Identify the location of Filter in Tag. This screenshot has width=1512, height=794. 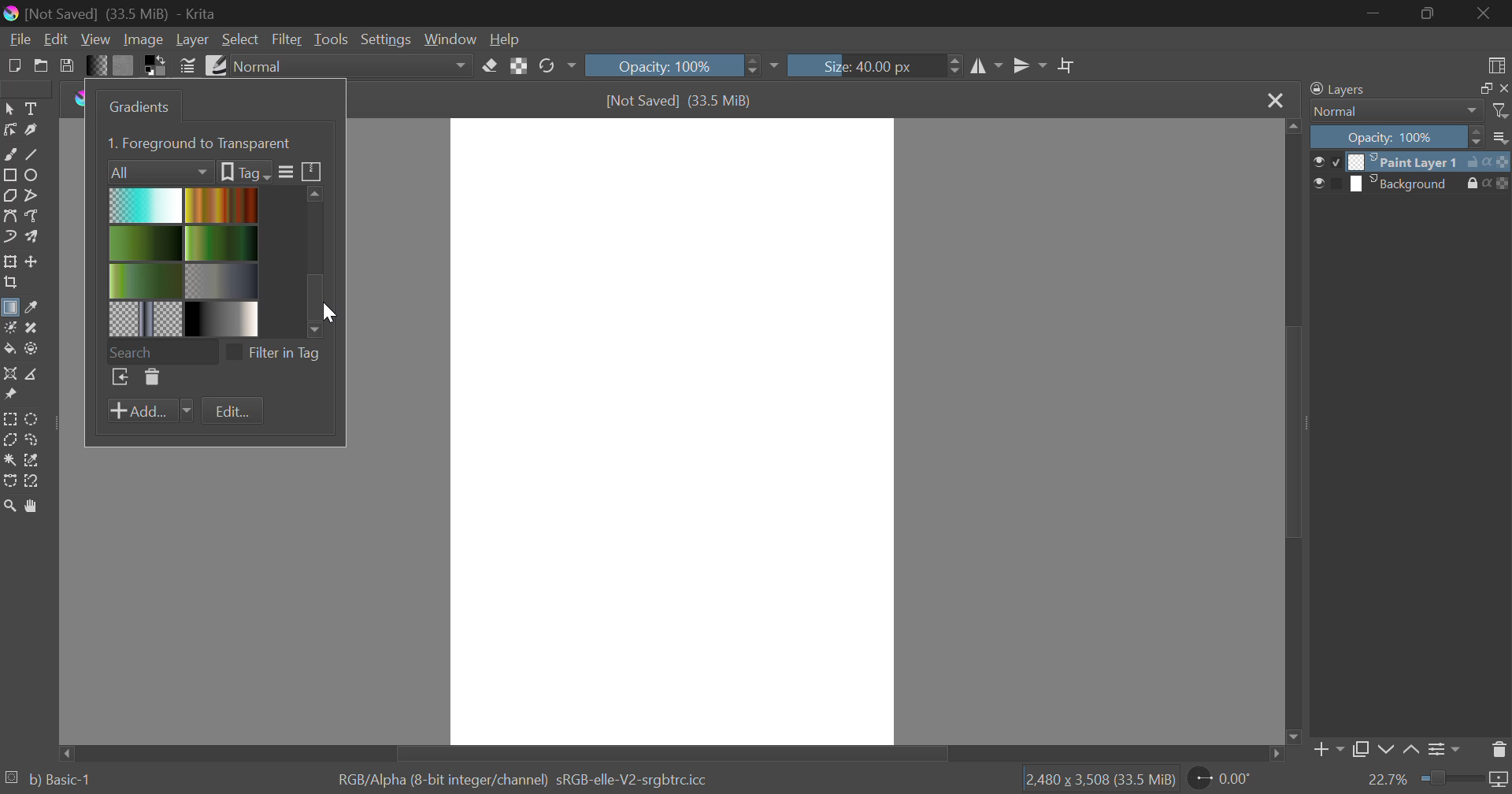
(278, 351).